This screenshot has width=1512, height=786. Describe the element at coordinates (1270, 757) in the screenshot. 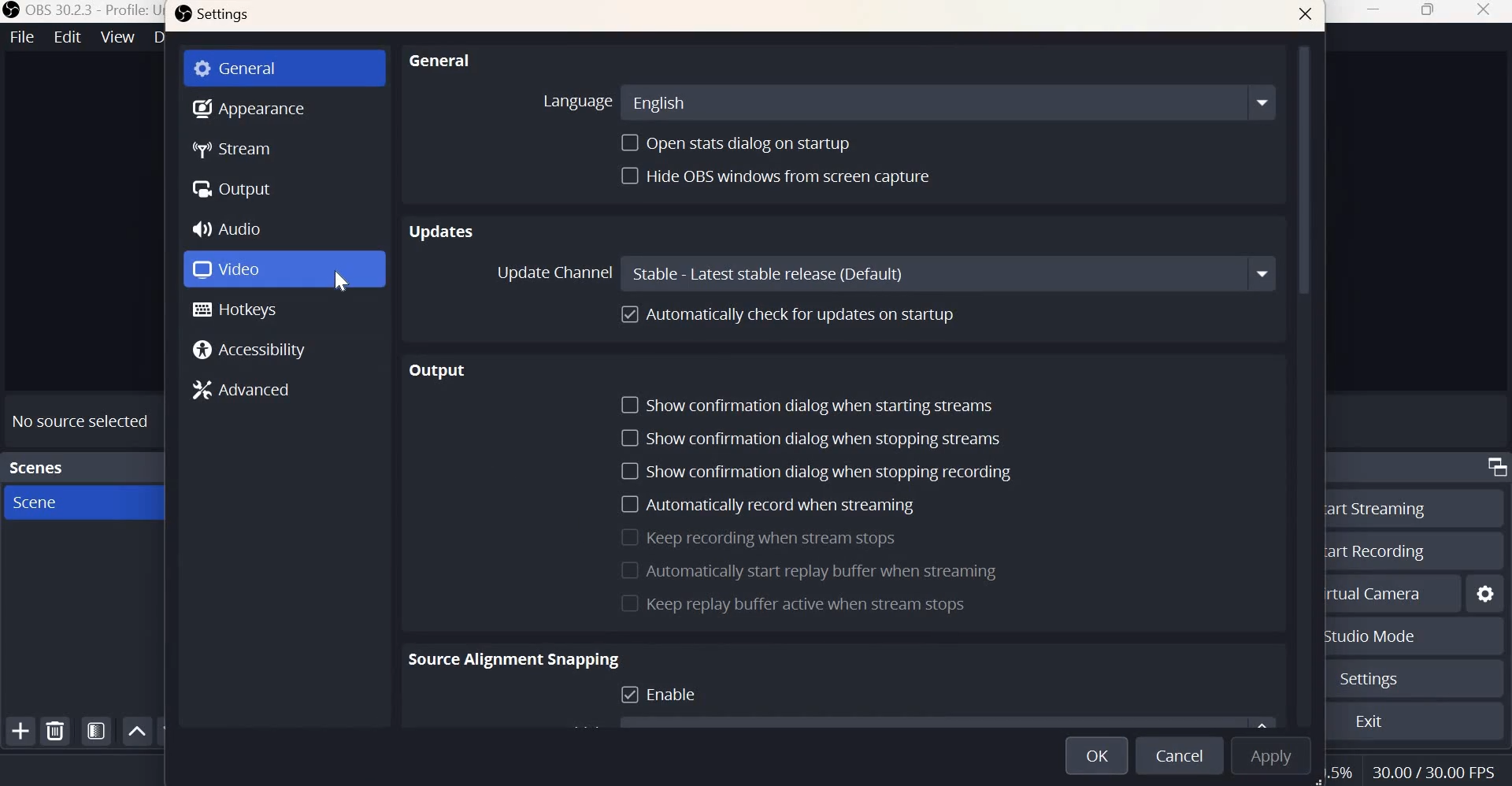

I see `Apply` at that location.